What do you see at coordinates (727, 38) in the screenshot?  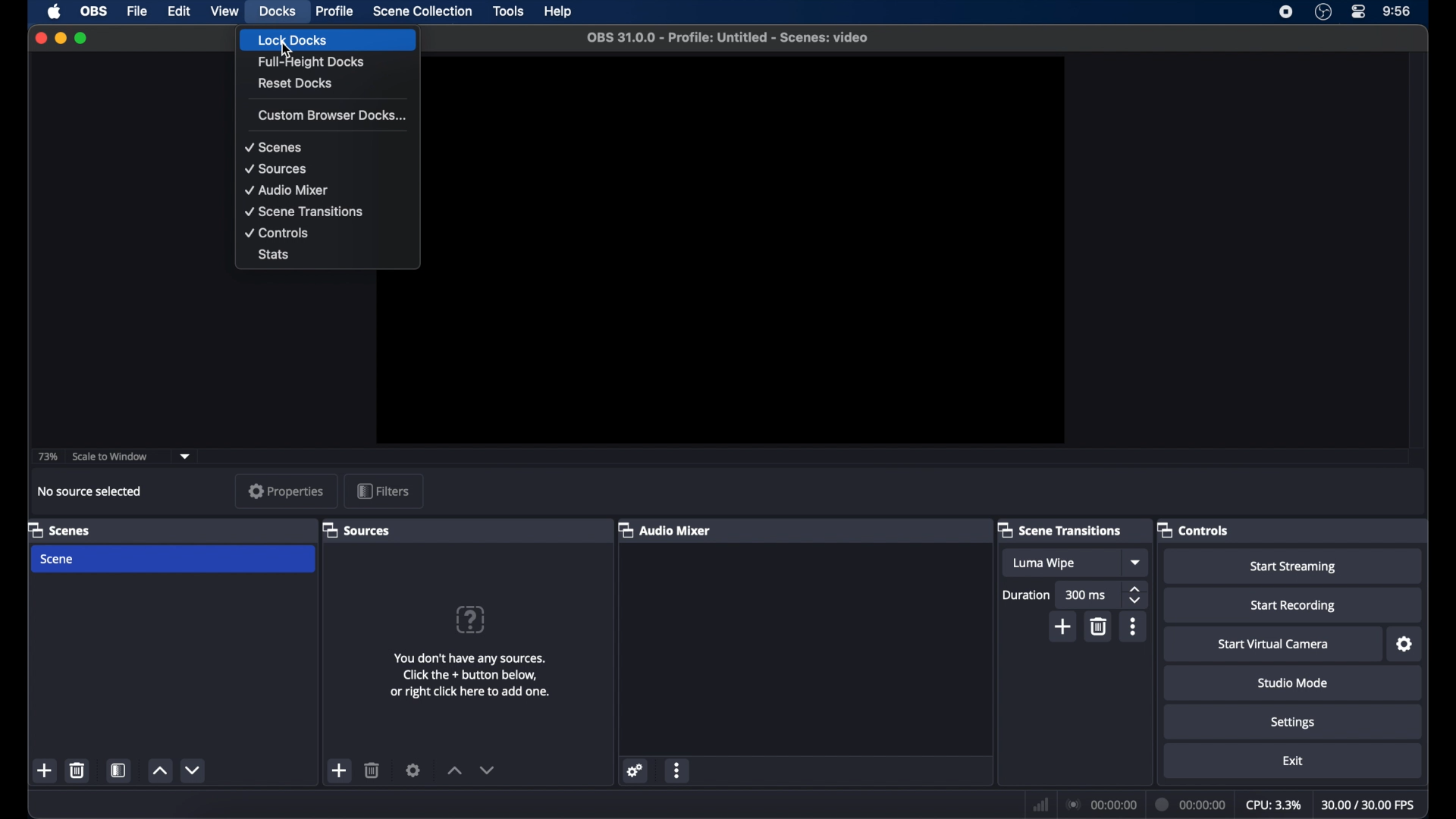 I see `file name` at bounding box center [727, 38].